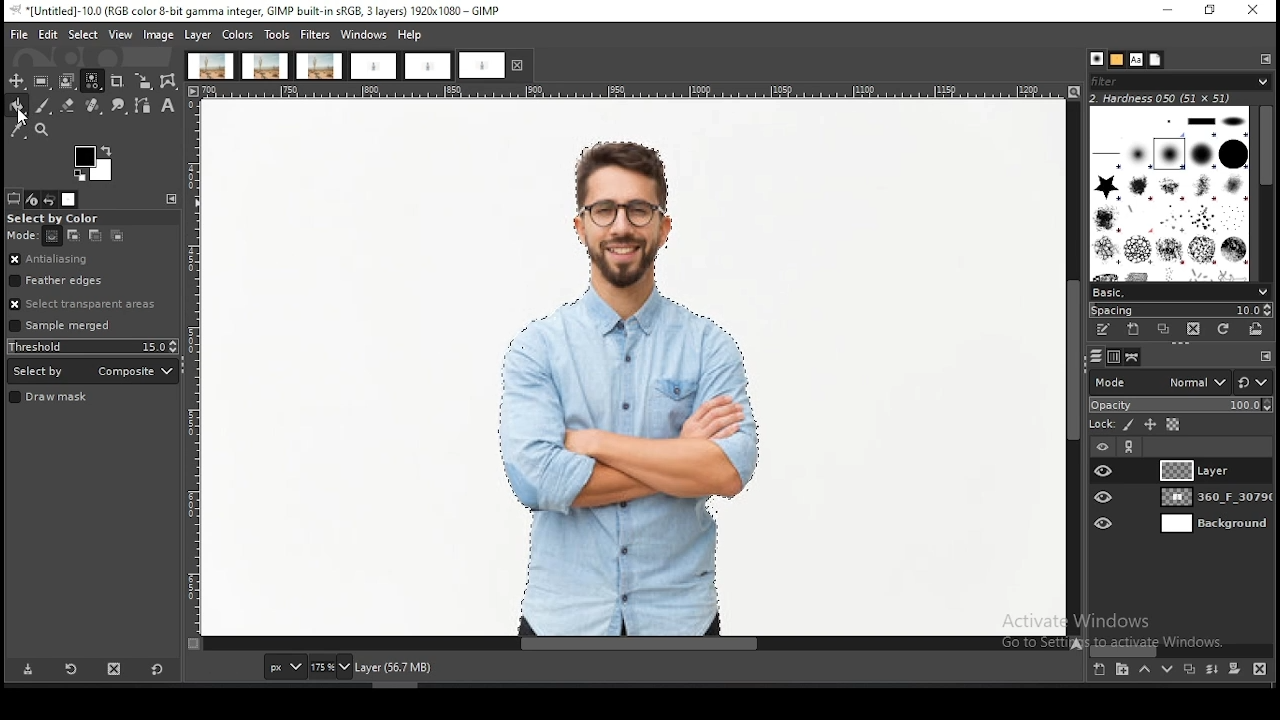 The image size is (1280, 720). I want to click on filter brushes, so click(1180, 82).